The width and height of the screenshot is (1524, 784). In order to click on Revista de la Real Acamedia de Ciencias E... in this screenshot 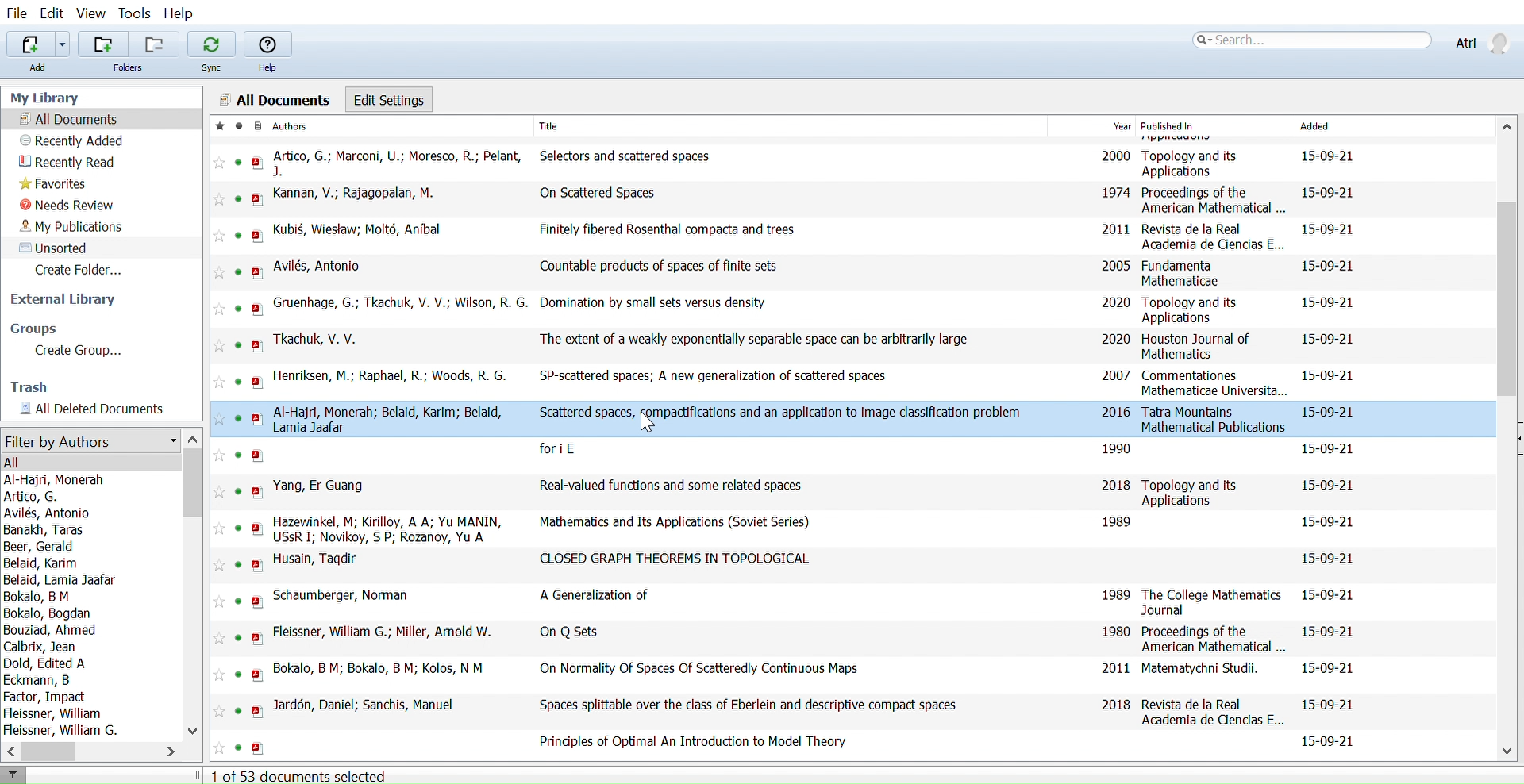, I will do `click(1212, 236)`.